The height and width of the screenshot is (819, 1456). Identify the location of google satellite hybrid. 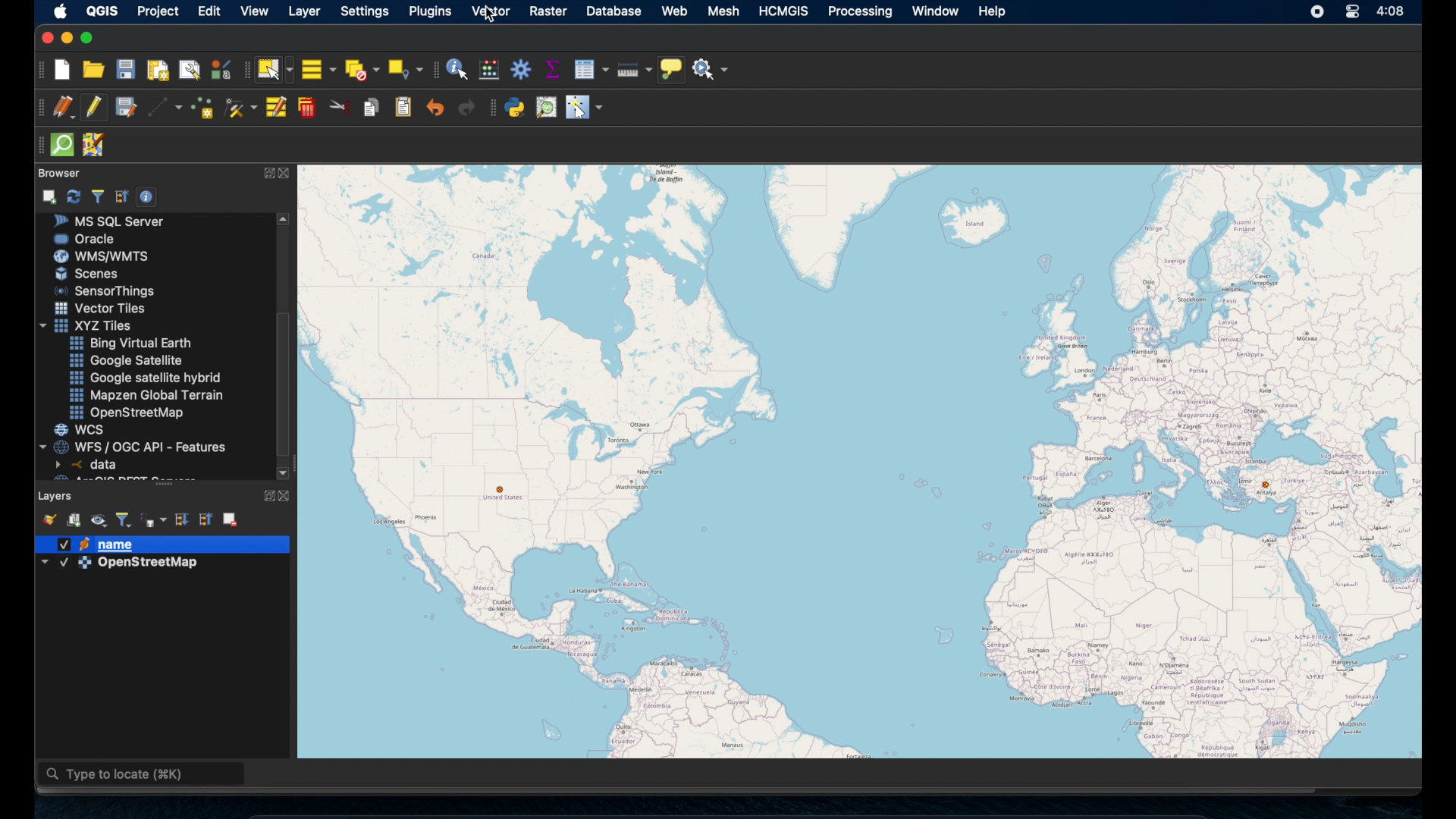
(145, 379).